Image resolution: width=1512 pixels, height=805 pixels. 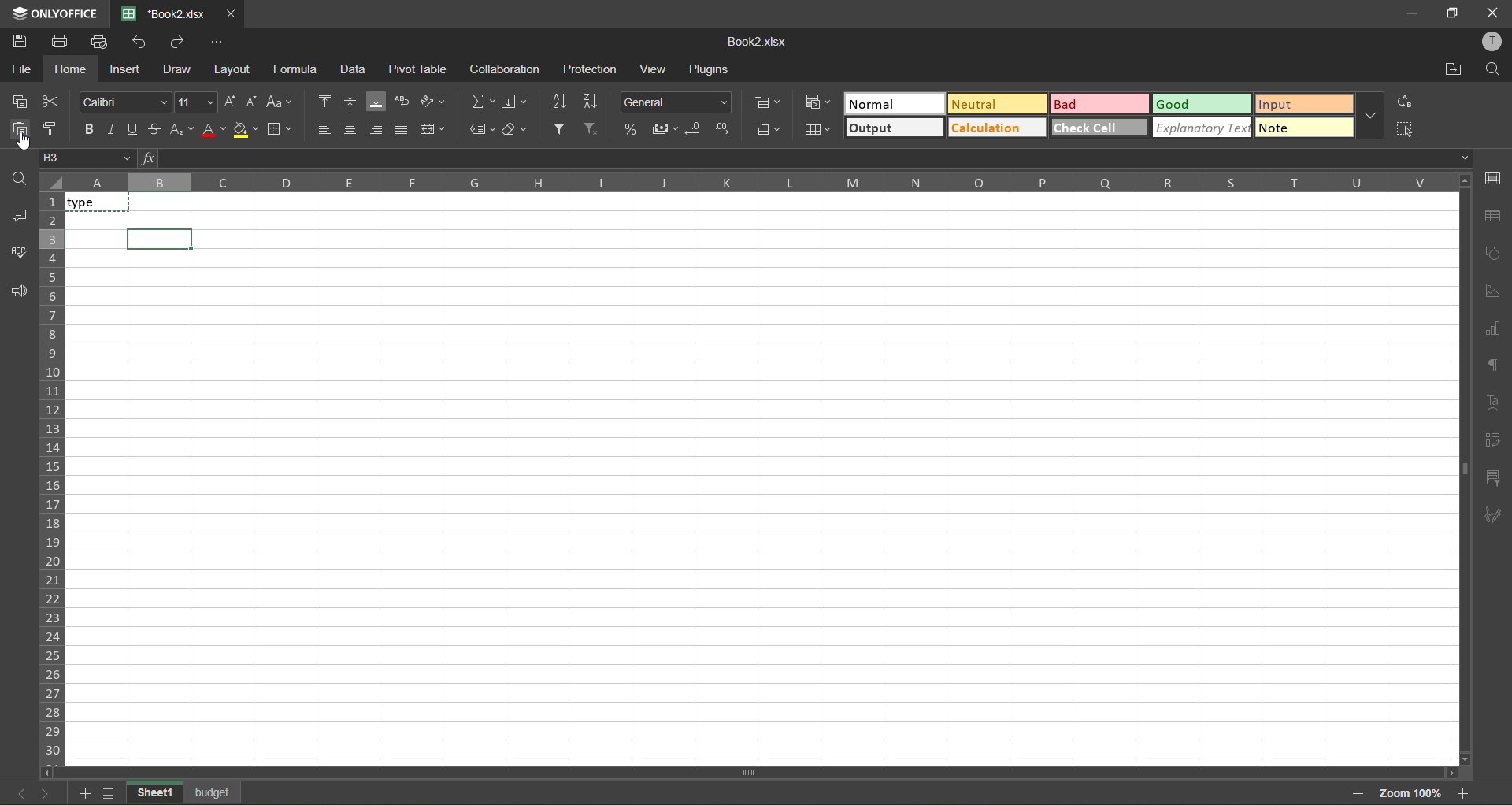 What do you see at coordinates (354, 69) in the screenshot?
I see `data` at bounding box center [354, 69].